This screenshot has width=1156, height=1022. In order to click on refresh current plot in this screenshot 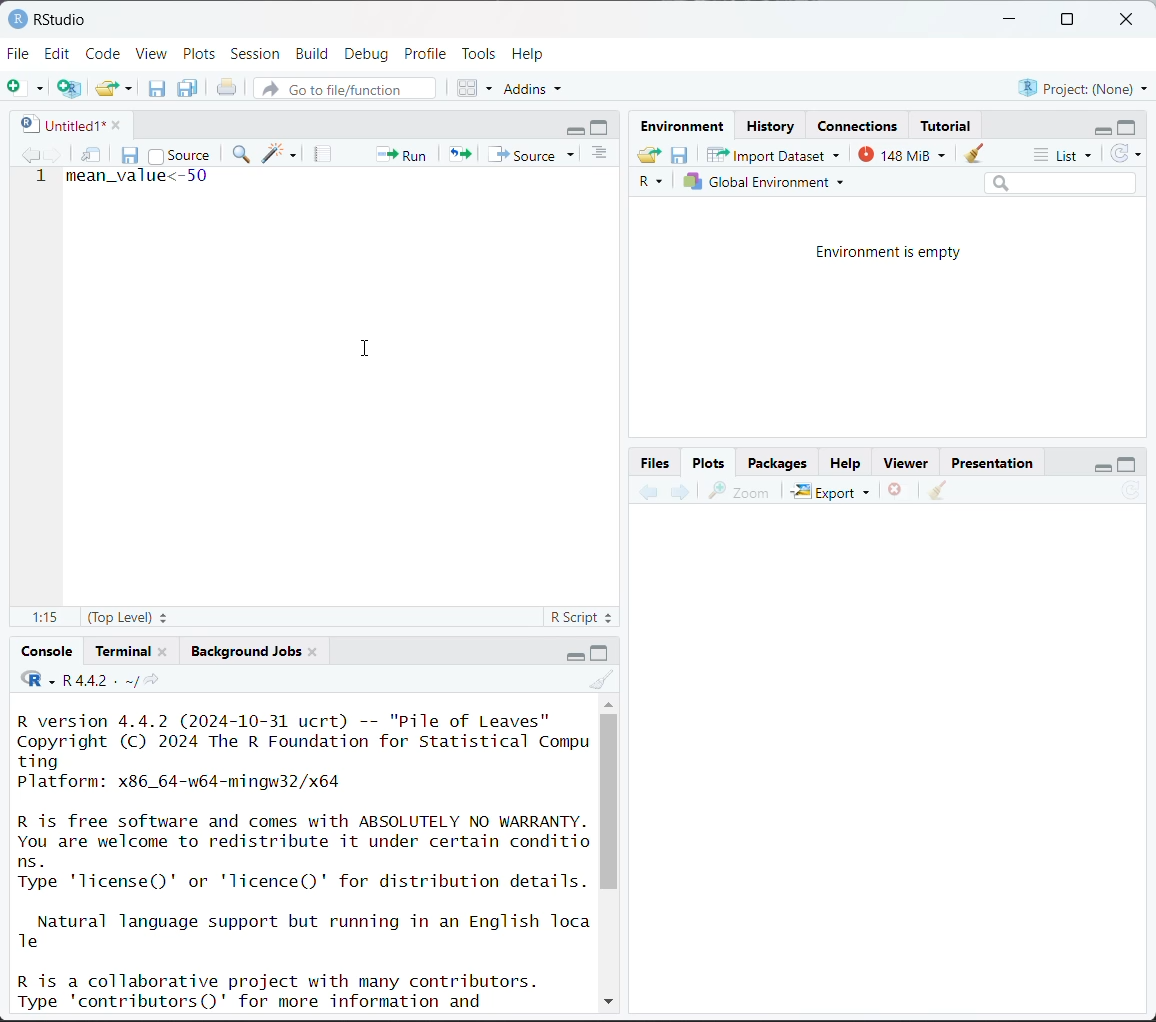, I will do `click(1131, 493)`.